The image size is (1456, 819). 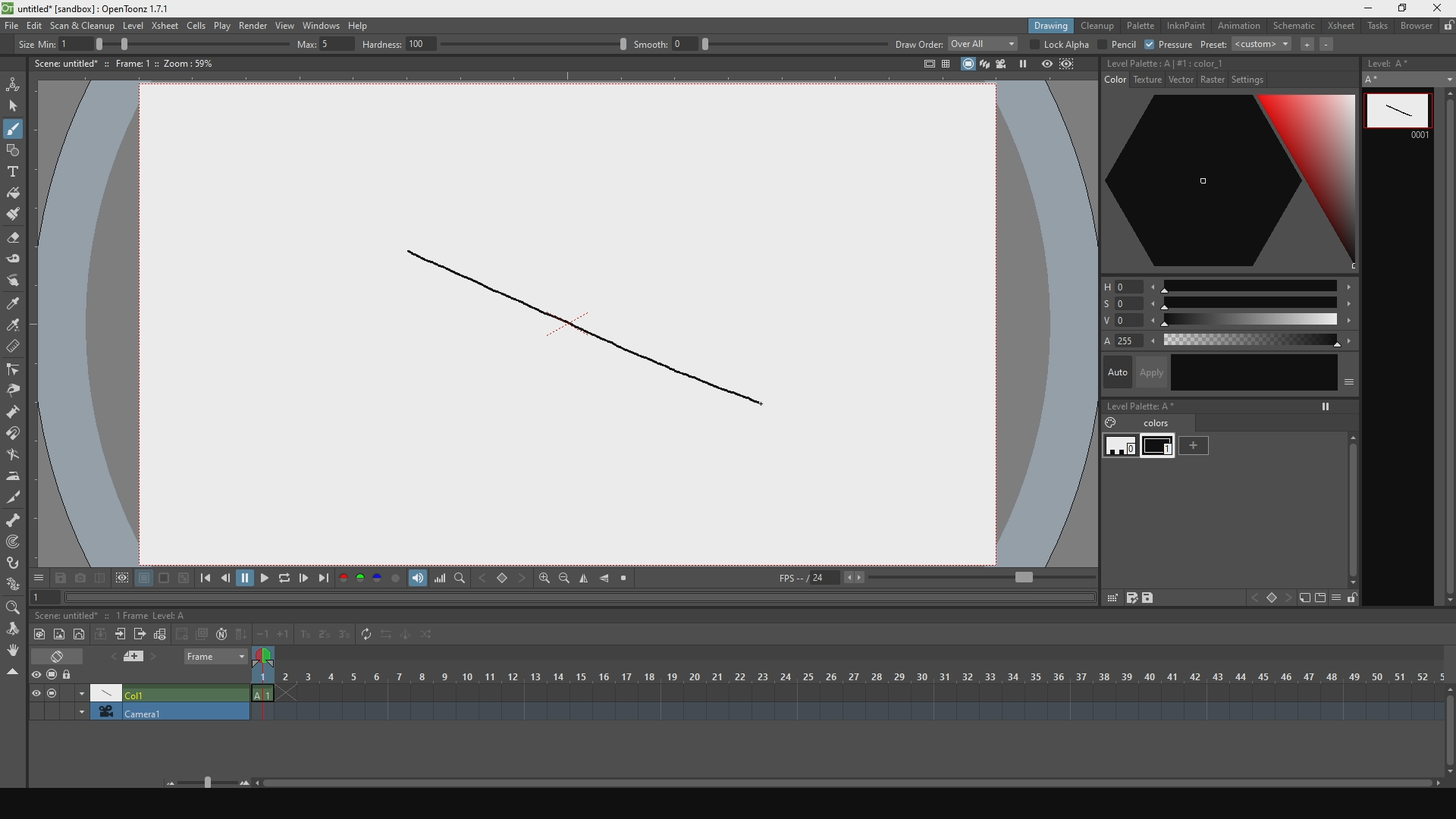 I want to click on colors, so click(x=1152, y=424).